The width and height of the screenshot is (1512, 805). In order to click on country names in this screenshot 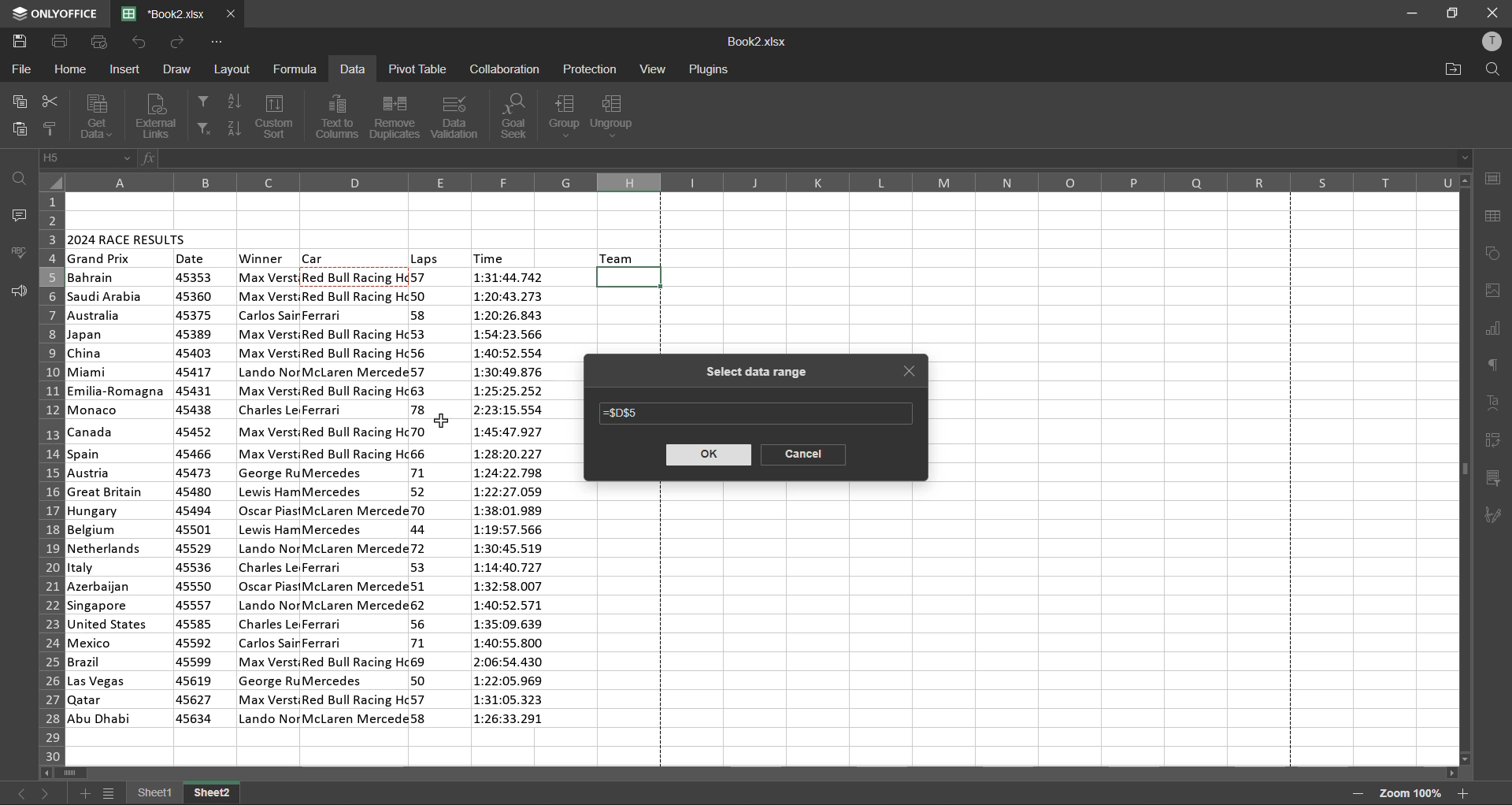, I will do `click(117, 498)`.